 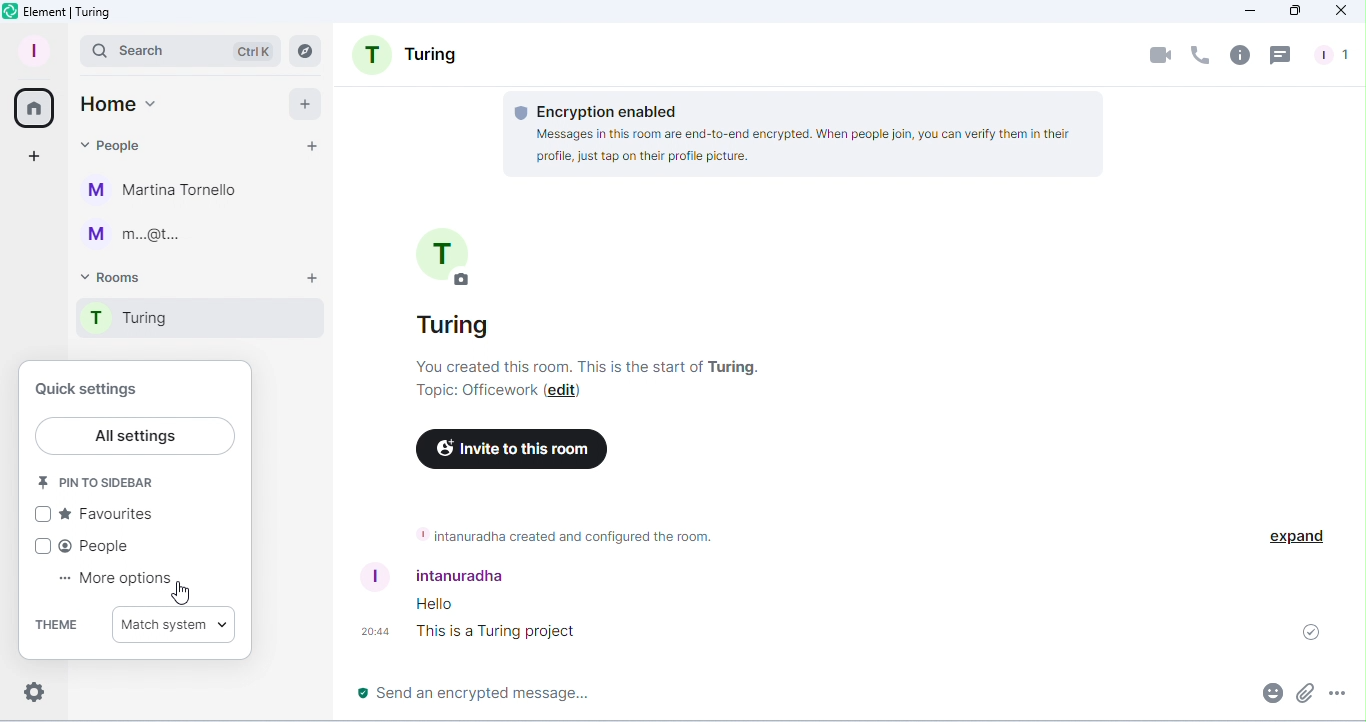 What do you see at coordinates (439, 575) in the screenshot?
I see `Username` at bounding box center [439, 575].